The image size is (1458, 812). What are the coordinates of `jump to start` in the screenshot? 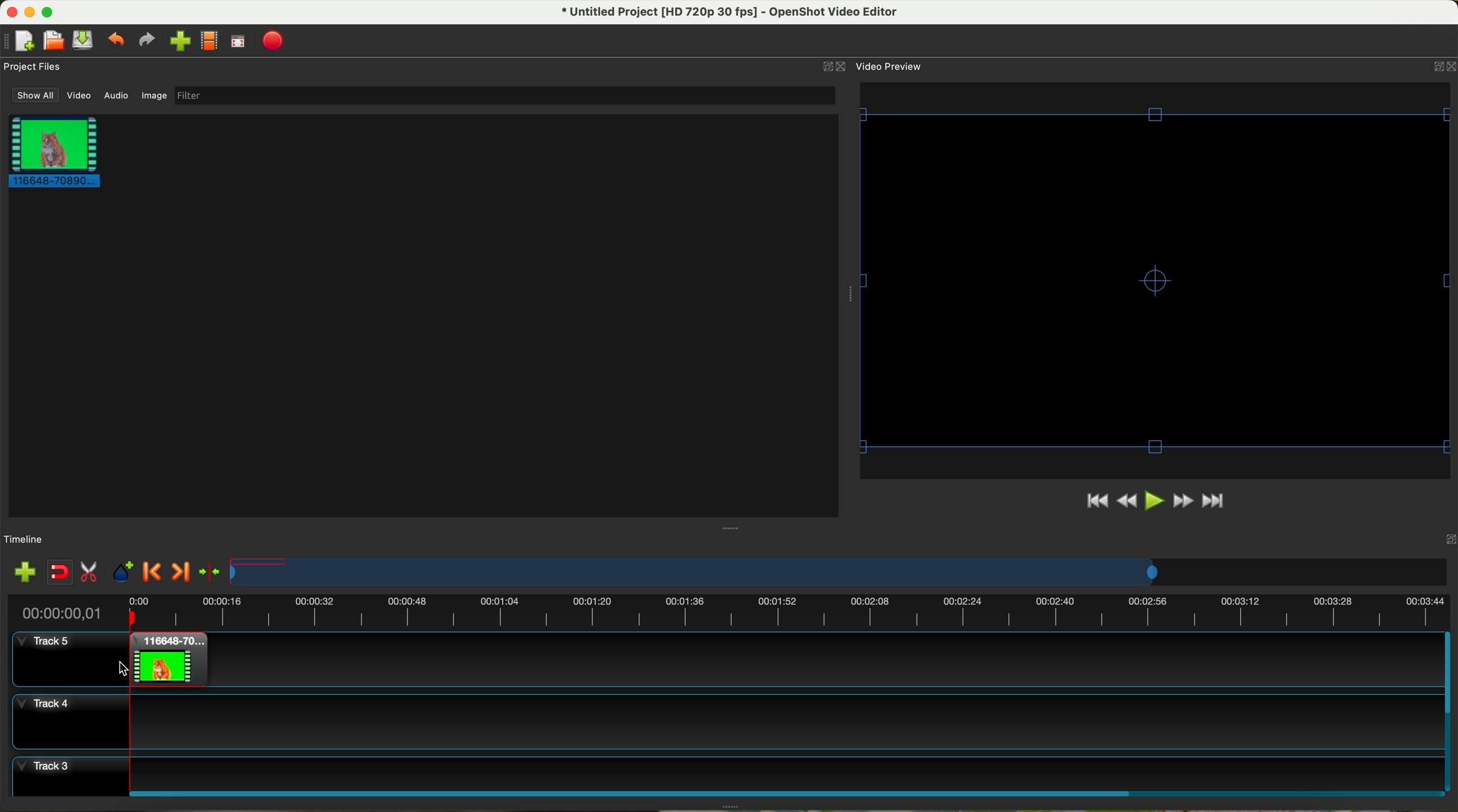 It's located at (1096, 500).